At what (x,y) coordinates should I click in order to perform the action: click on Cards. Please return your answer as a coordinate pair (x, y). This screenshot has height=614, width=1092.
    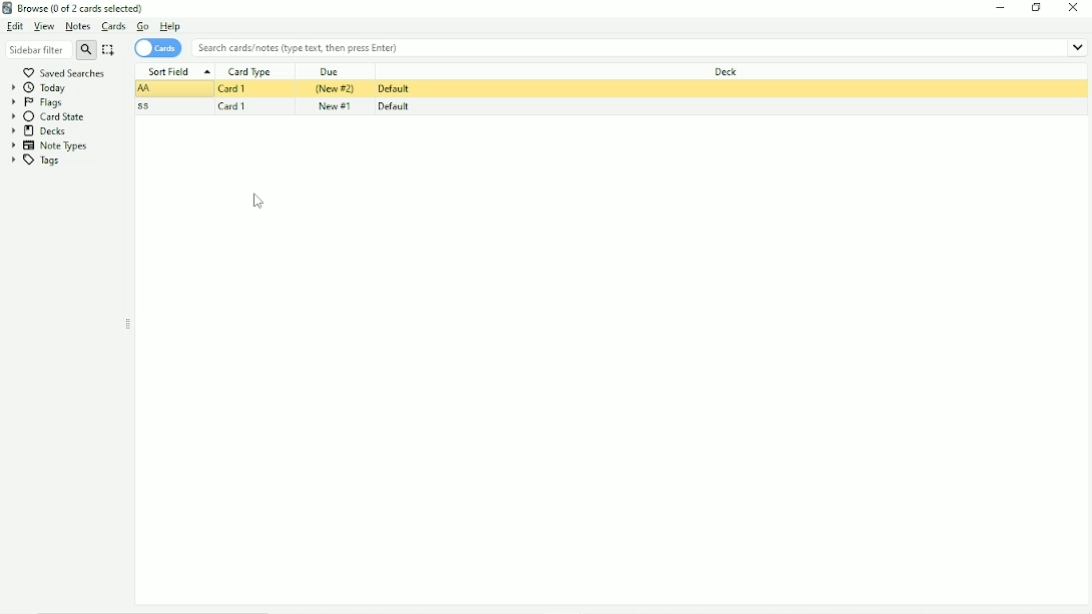
    Looking at the image, I should click on (114, 27).